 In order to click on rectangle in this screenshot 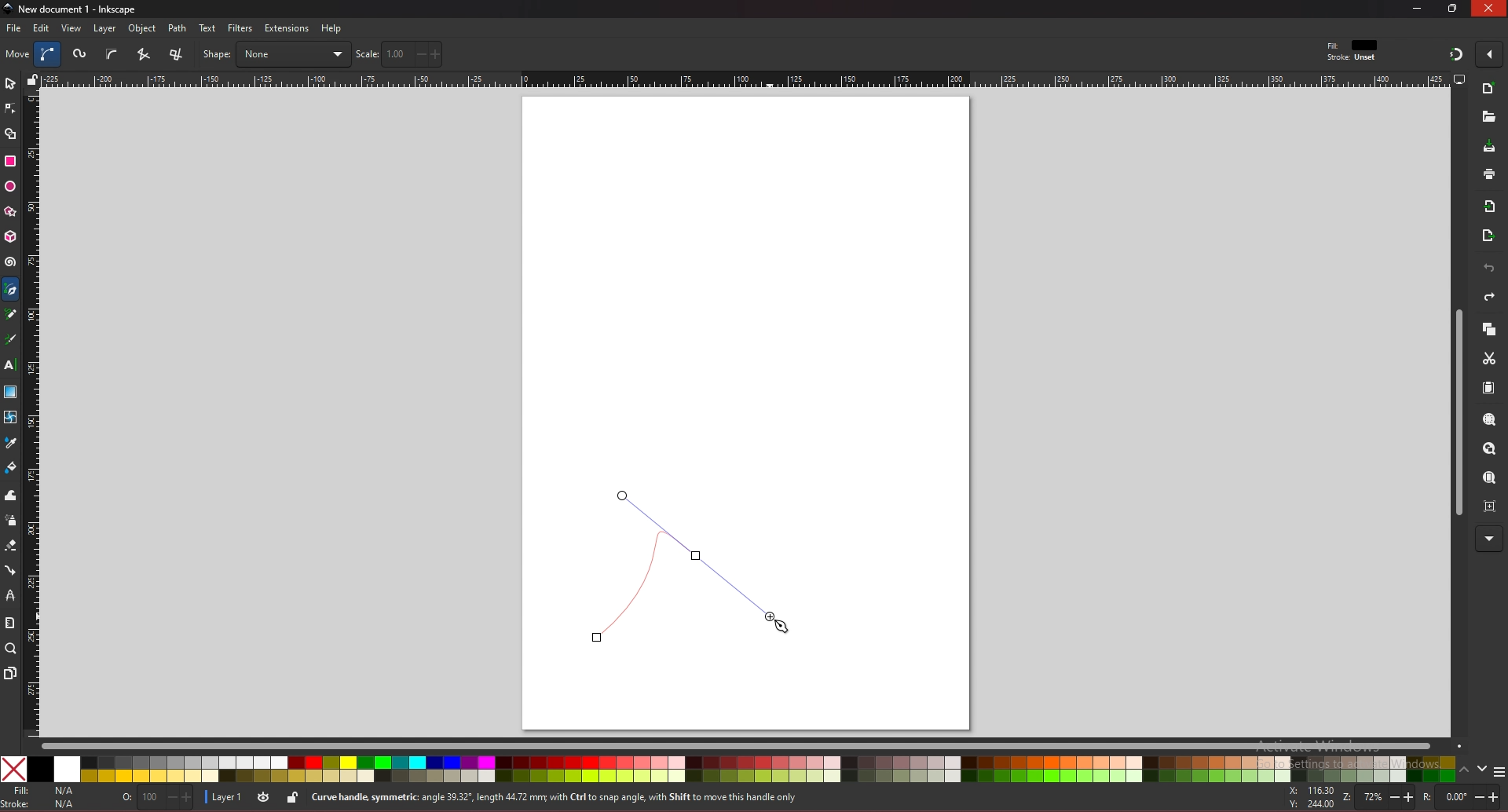, I will do `click(9, 161)`.